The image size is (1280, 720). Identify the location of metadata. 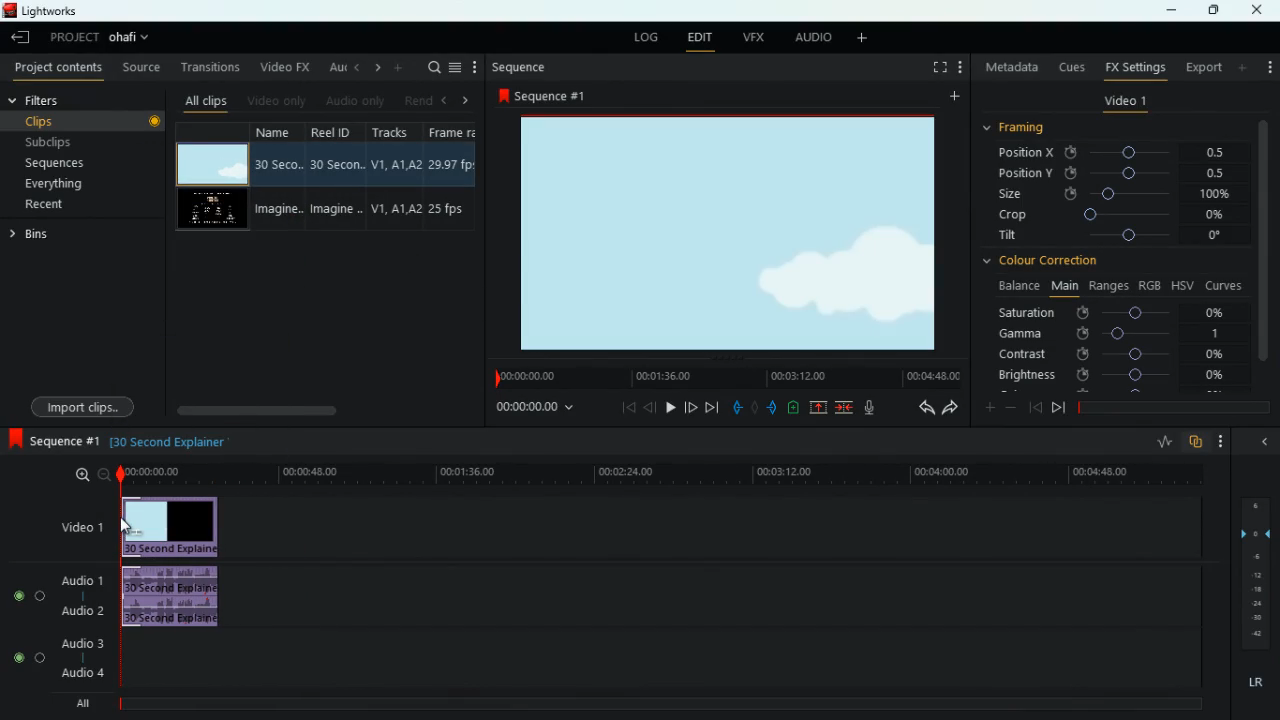
(1008, 65).